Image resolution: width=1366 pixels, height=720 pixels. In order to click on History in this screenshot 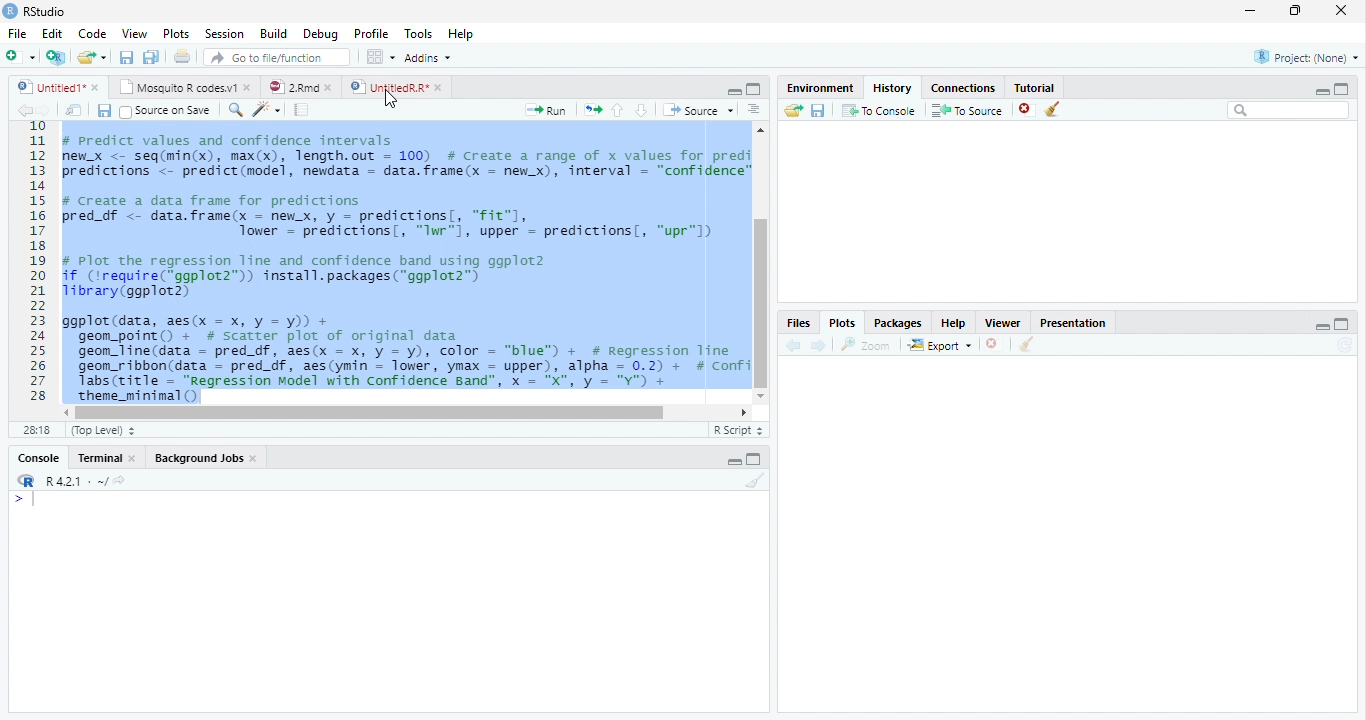, I will do `click(892, 89)`.